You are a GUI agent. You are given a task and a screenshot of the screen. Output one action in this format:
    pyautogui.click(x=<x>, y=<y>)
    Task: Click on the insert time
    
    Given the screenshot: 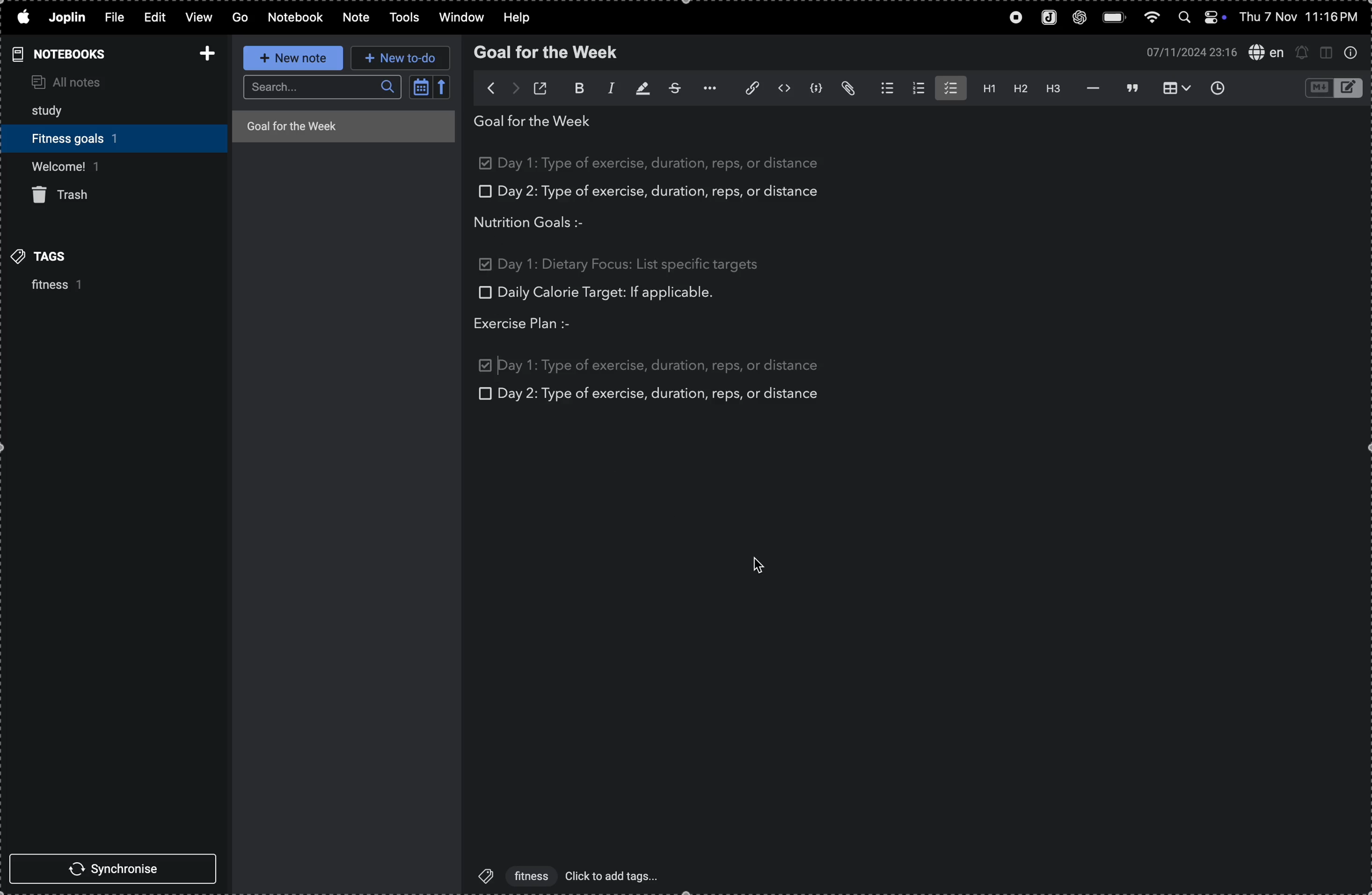 What is the action you would take?
    pyautogui.click(x=1222, y=88)
    